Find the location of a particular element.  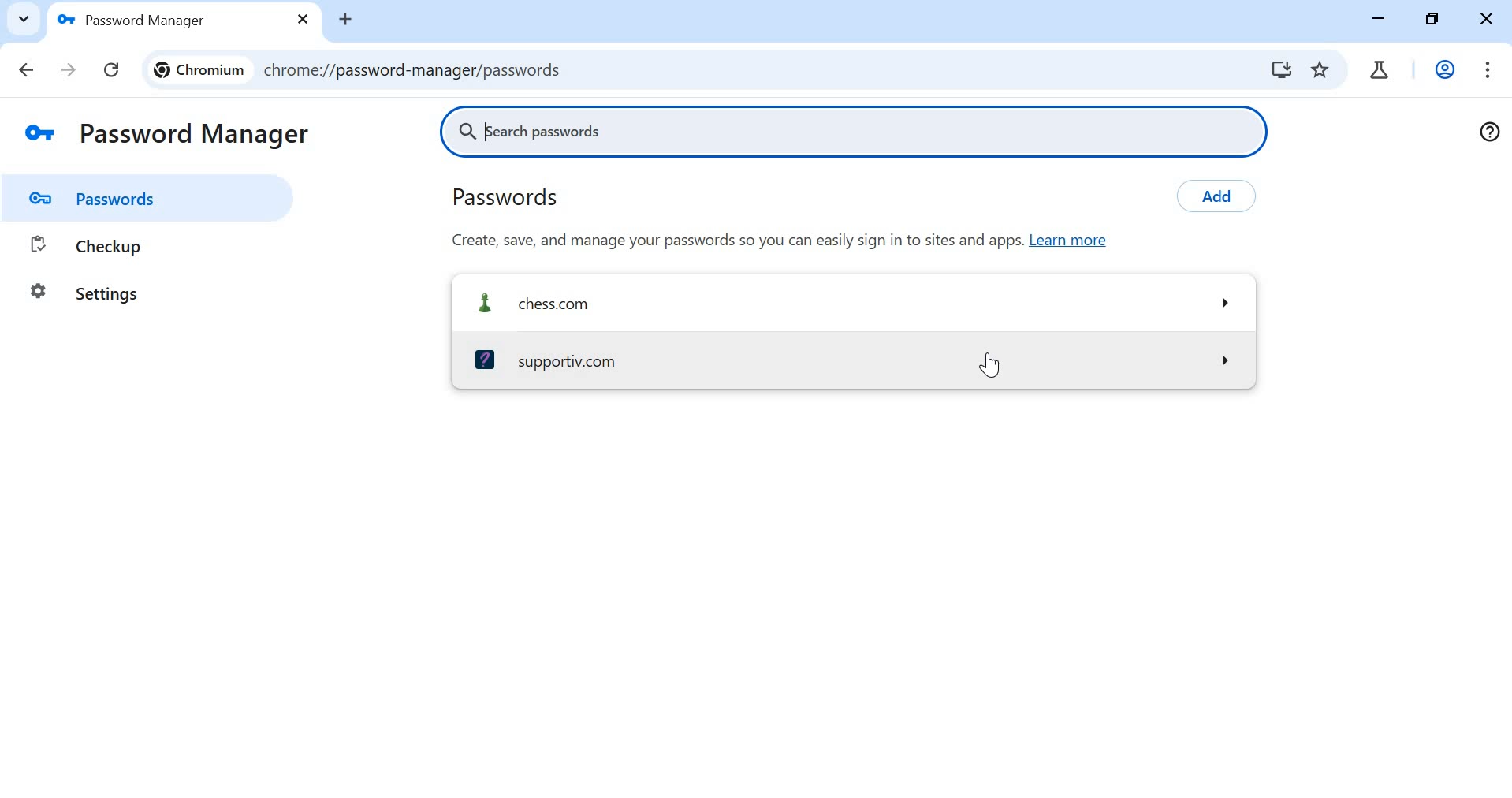

add tab is located at coordinates (348, 20).